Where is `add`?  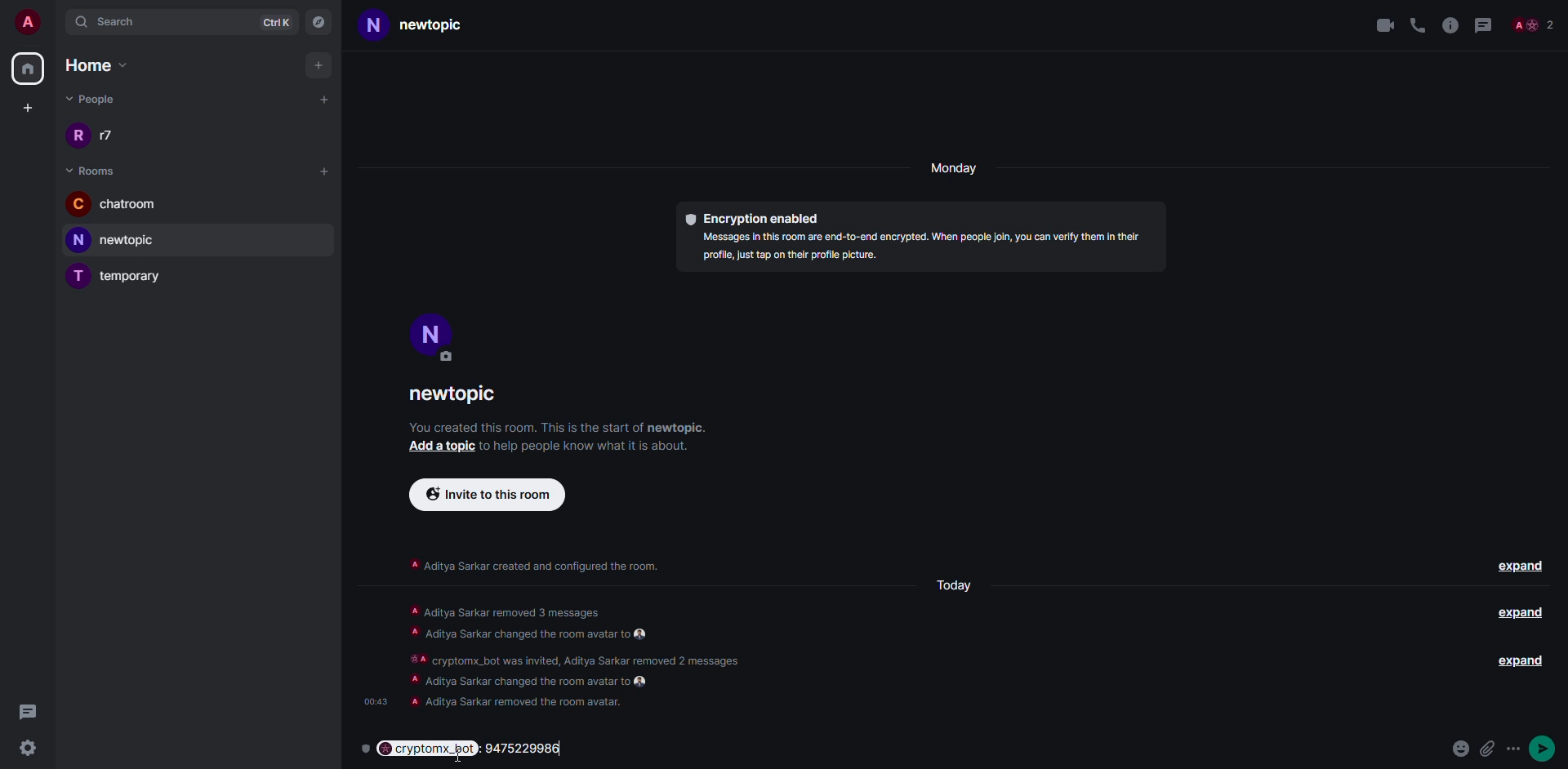 add is located at coordinates (325, 98).